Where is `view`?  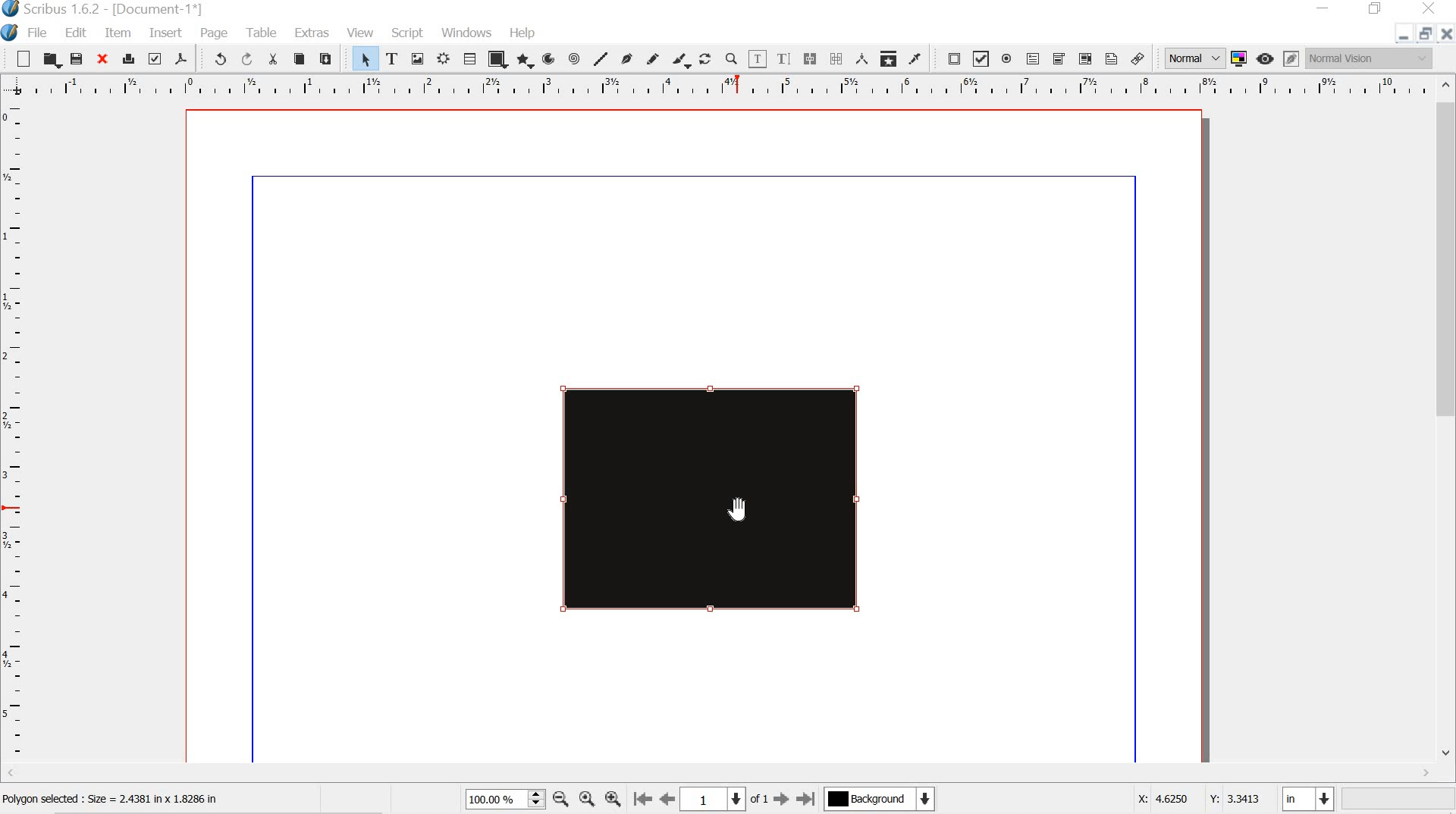
view is located at coordinates (361, 31).